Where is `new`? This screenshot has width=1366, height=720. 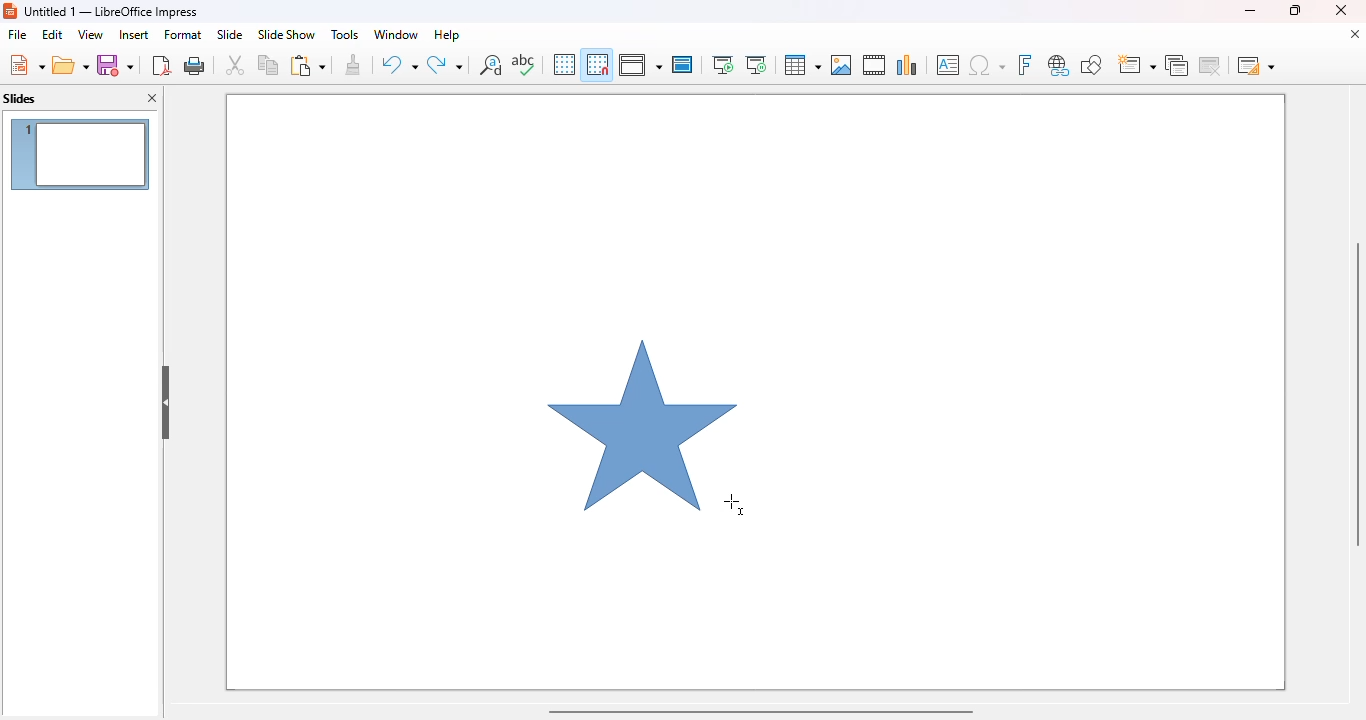 new is located at coordinates (26, 65).